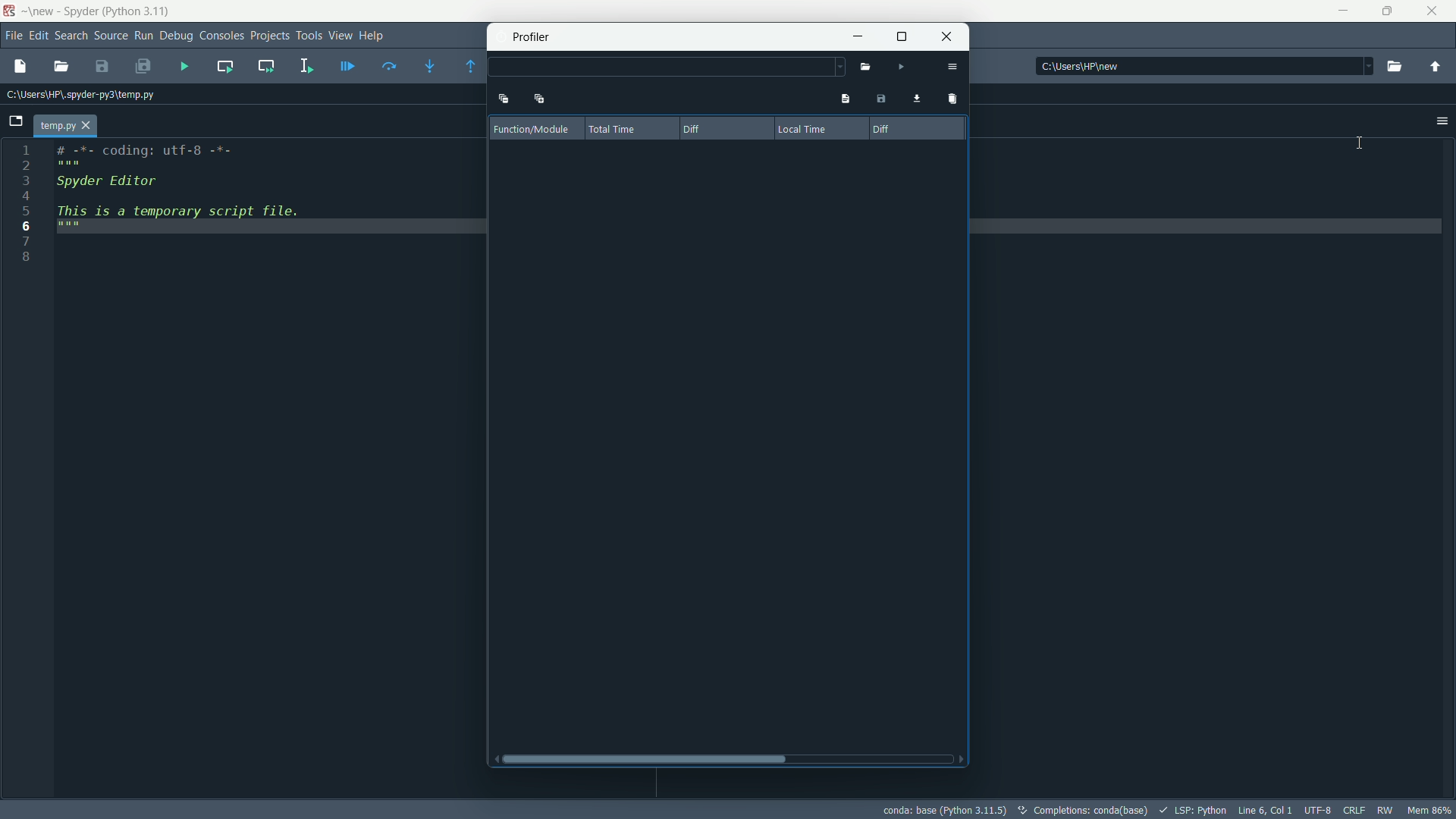 This screenshot has width=1456, height=819. Describe the element at coordinates (885, 127) in the screenshot. I see `diff` at that location.